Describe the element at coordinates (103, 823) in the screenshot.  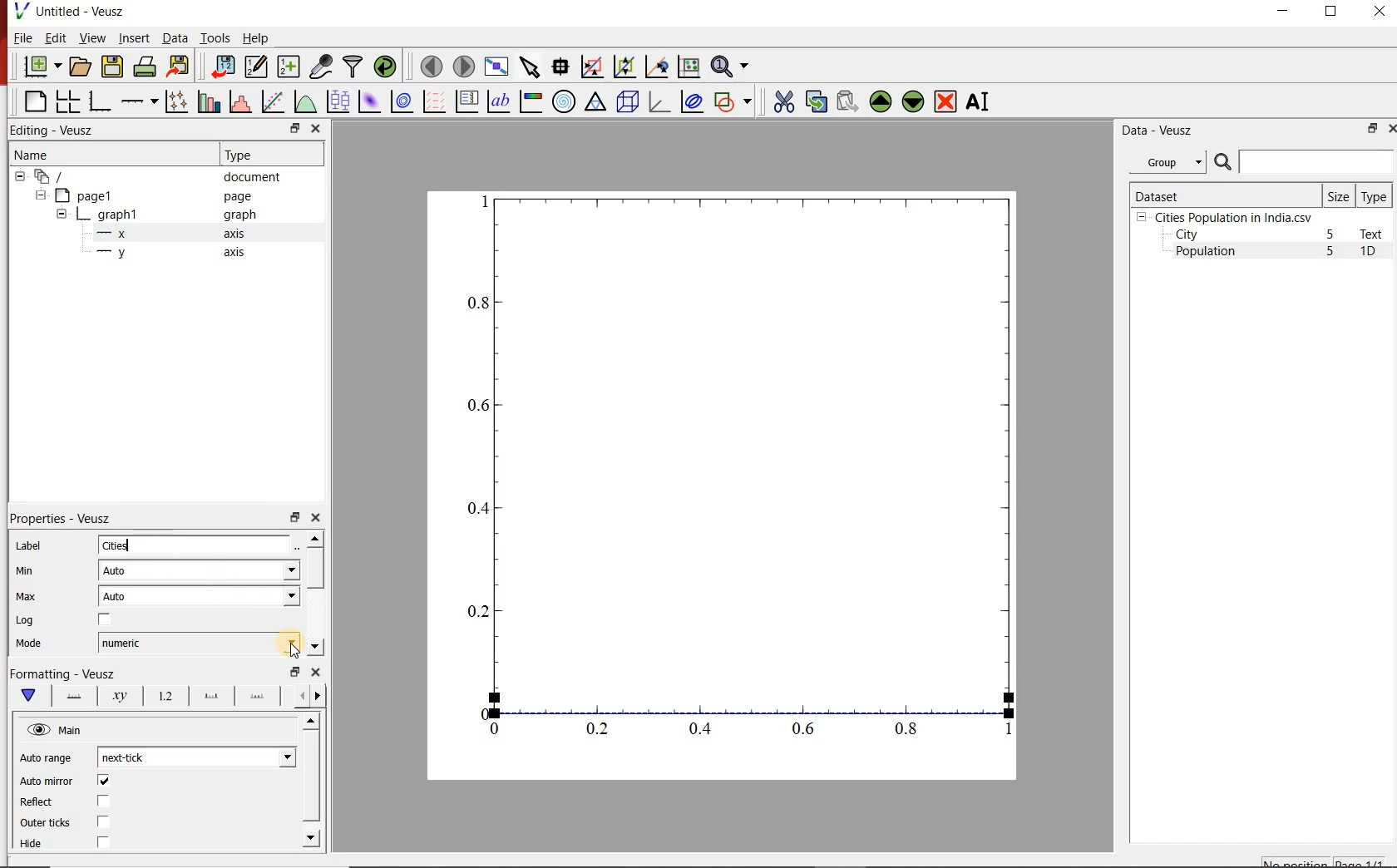
I see `check/uncheck` at that location.